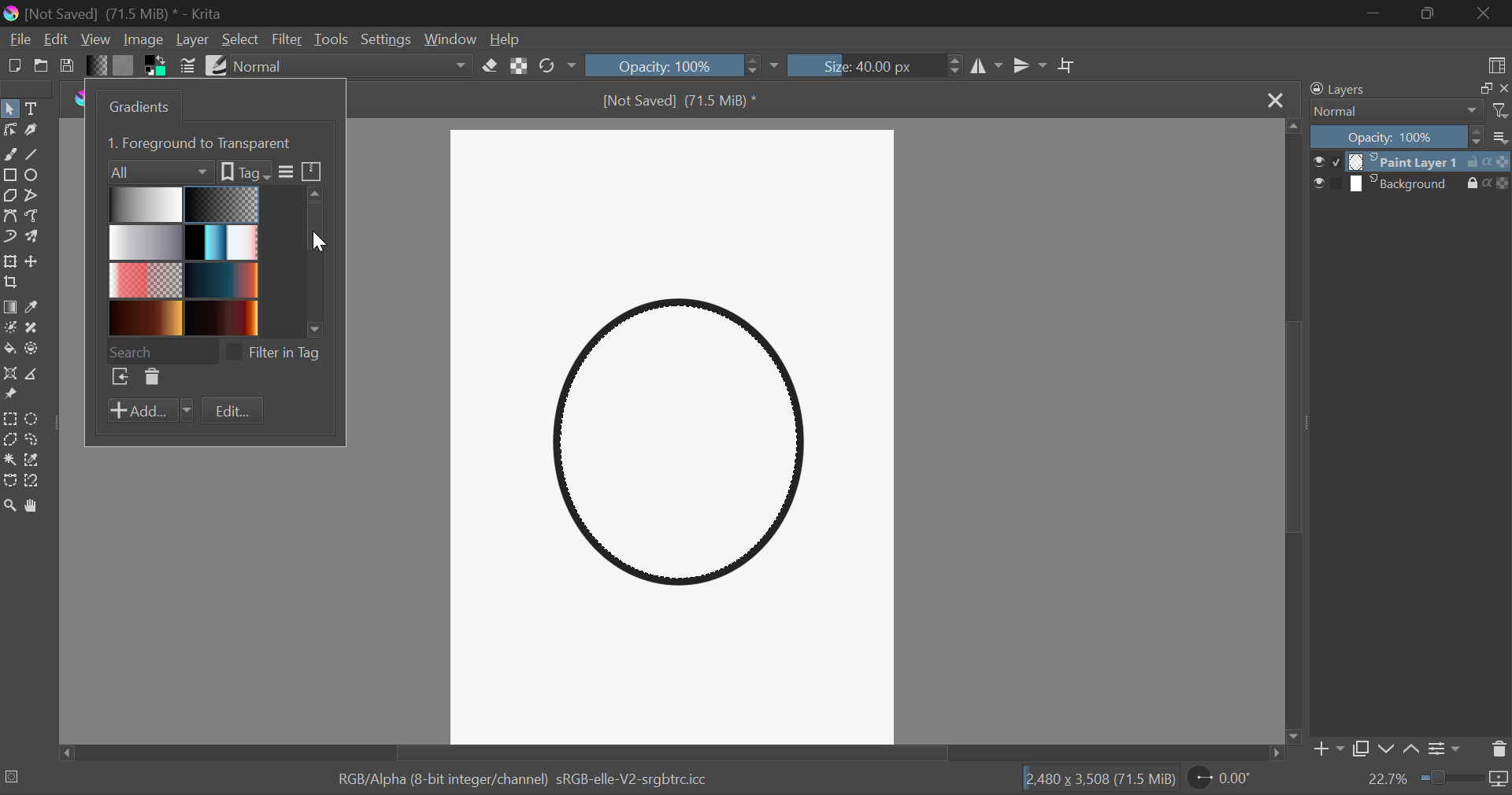 This screenshot has height=795, width=1512. I want to click on zoom value, so click(1389, 779).